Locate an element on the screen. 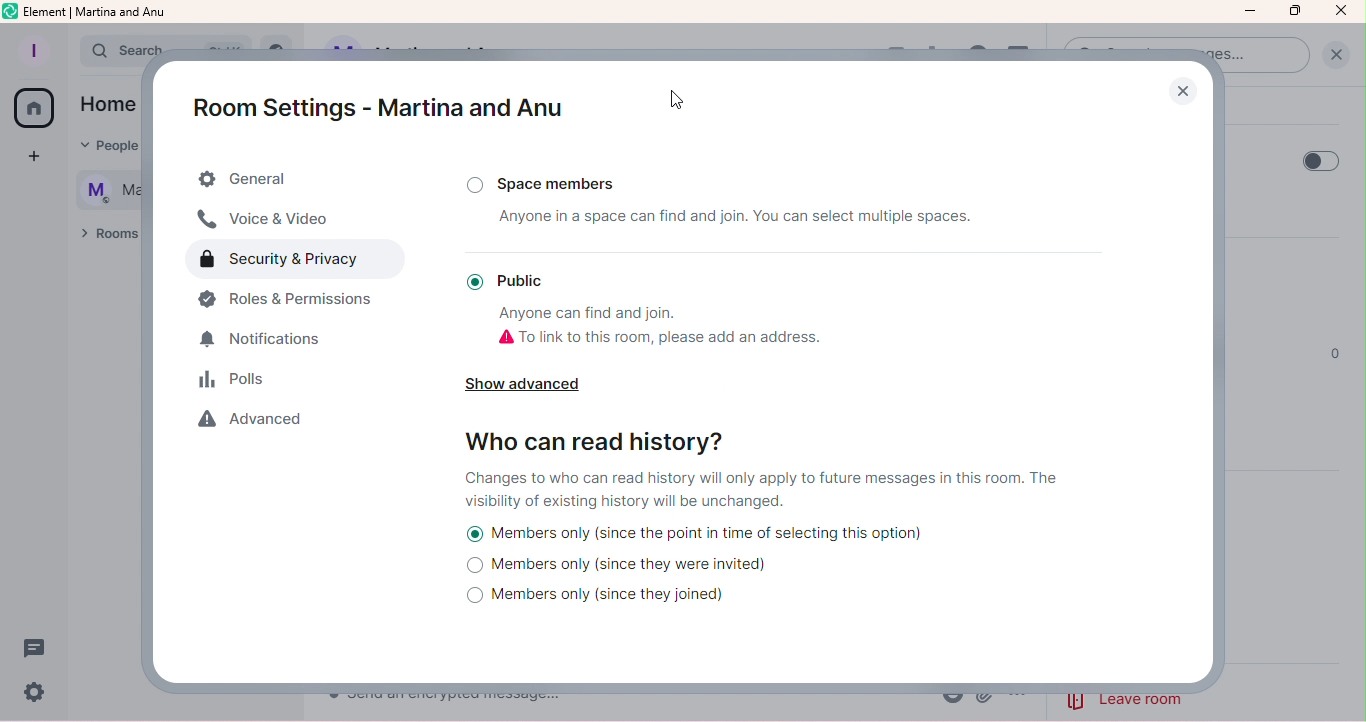 The height and width of the screenshot is (722, 1366). Space Members is located at coordinates (734, 199).